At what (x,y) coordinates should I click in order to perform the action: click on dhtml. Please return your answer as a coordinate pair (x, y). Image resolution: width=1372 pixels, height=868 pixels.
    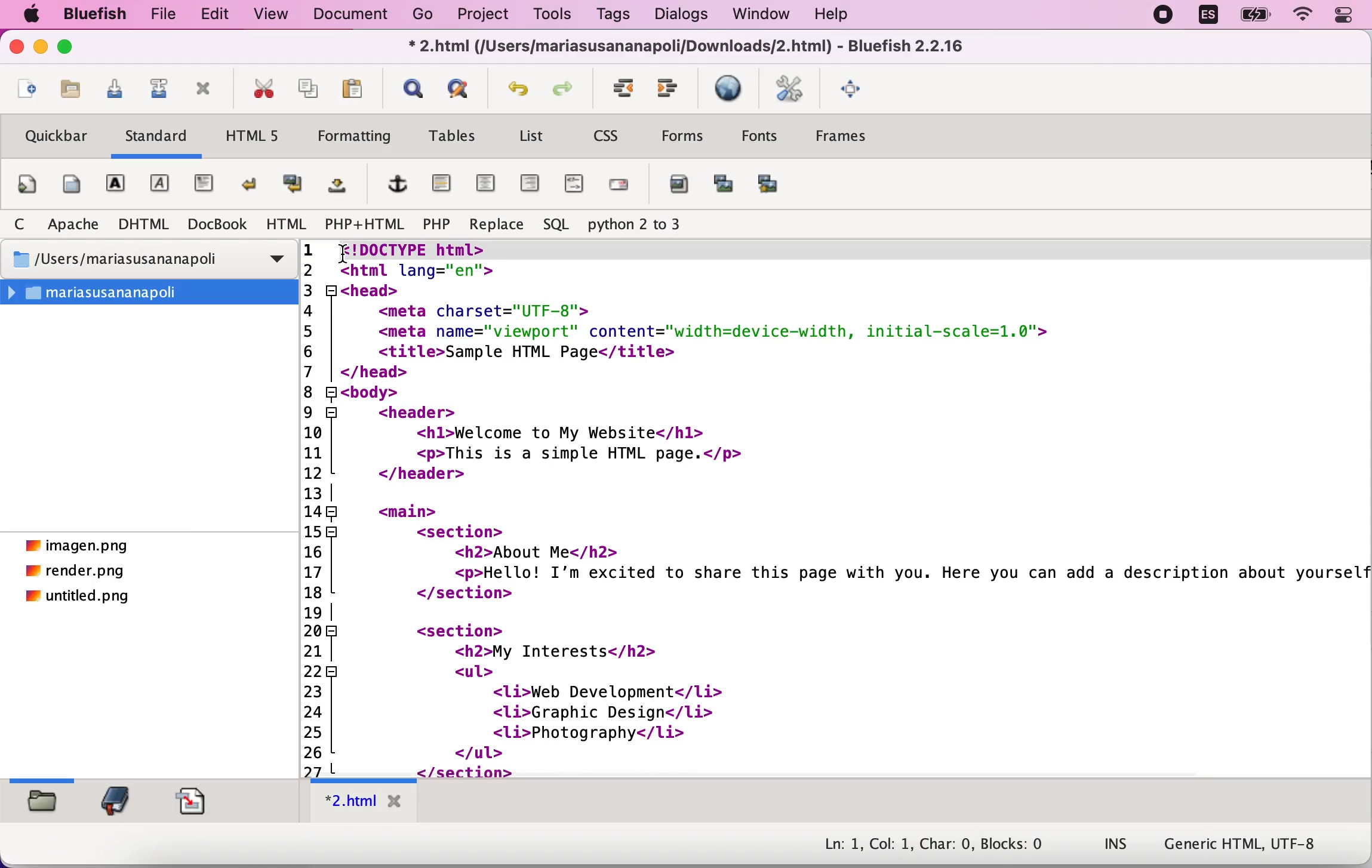
    Looking at the image, I should click on (140, 223).